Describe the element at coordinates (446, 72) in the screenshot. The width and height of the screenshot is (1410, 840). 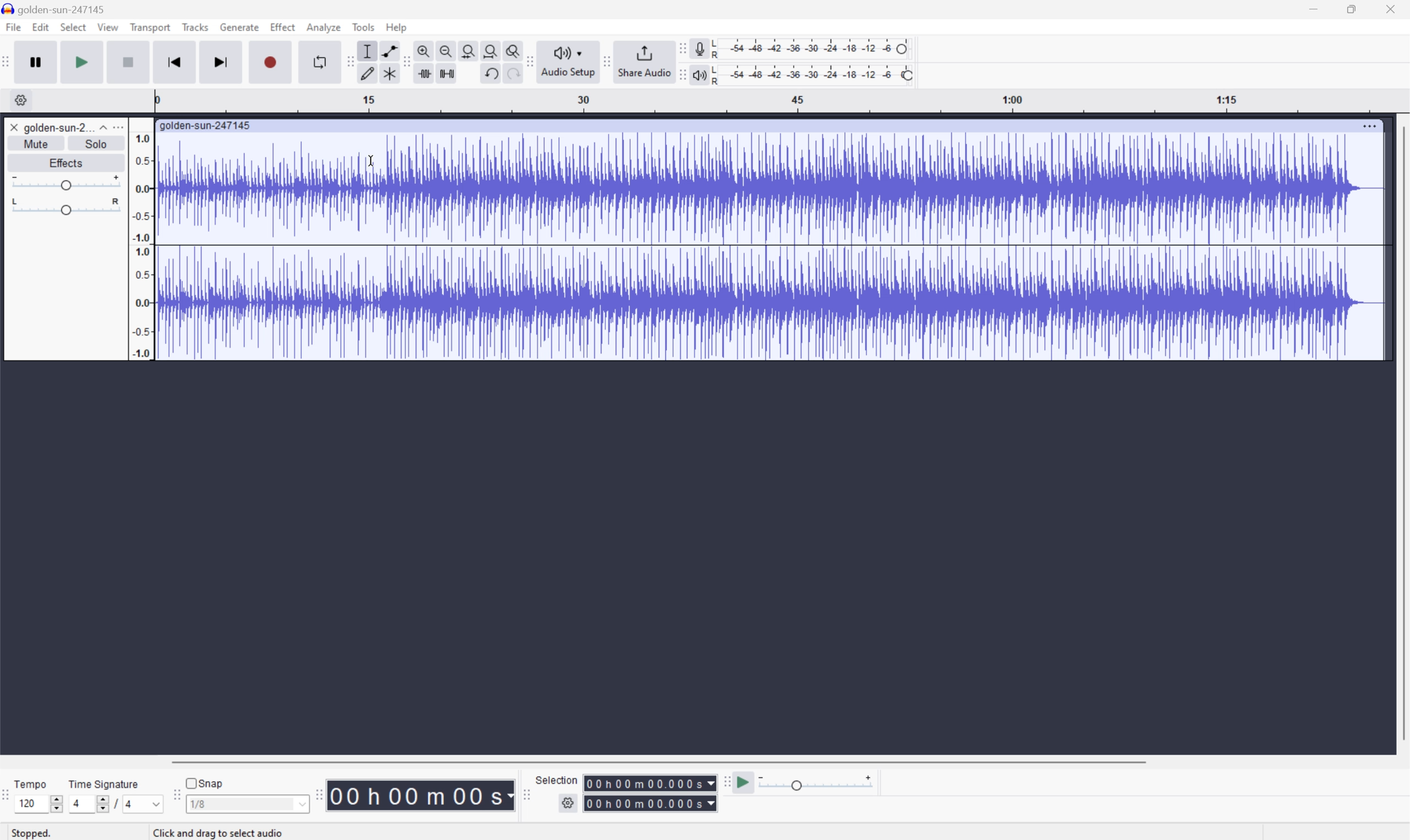
I see `Silence audio selection` at that location.